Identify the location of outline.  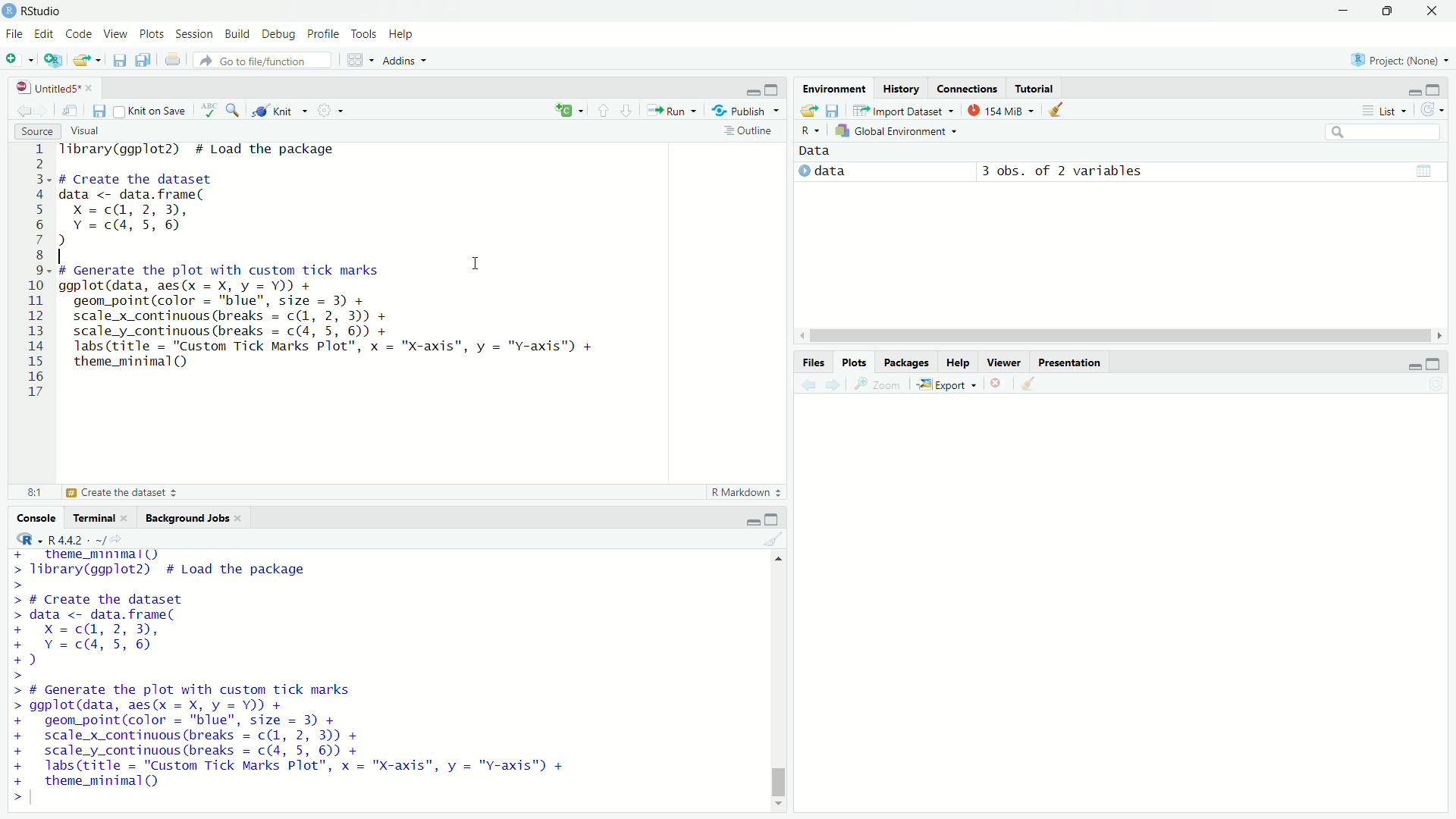
(751, 132).